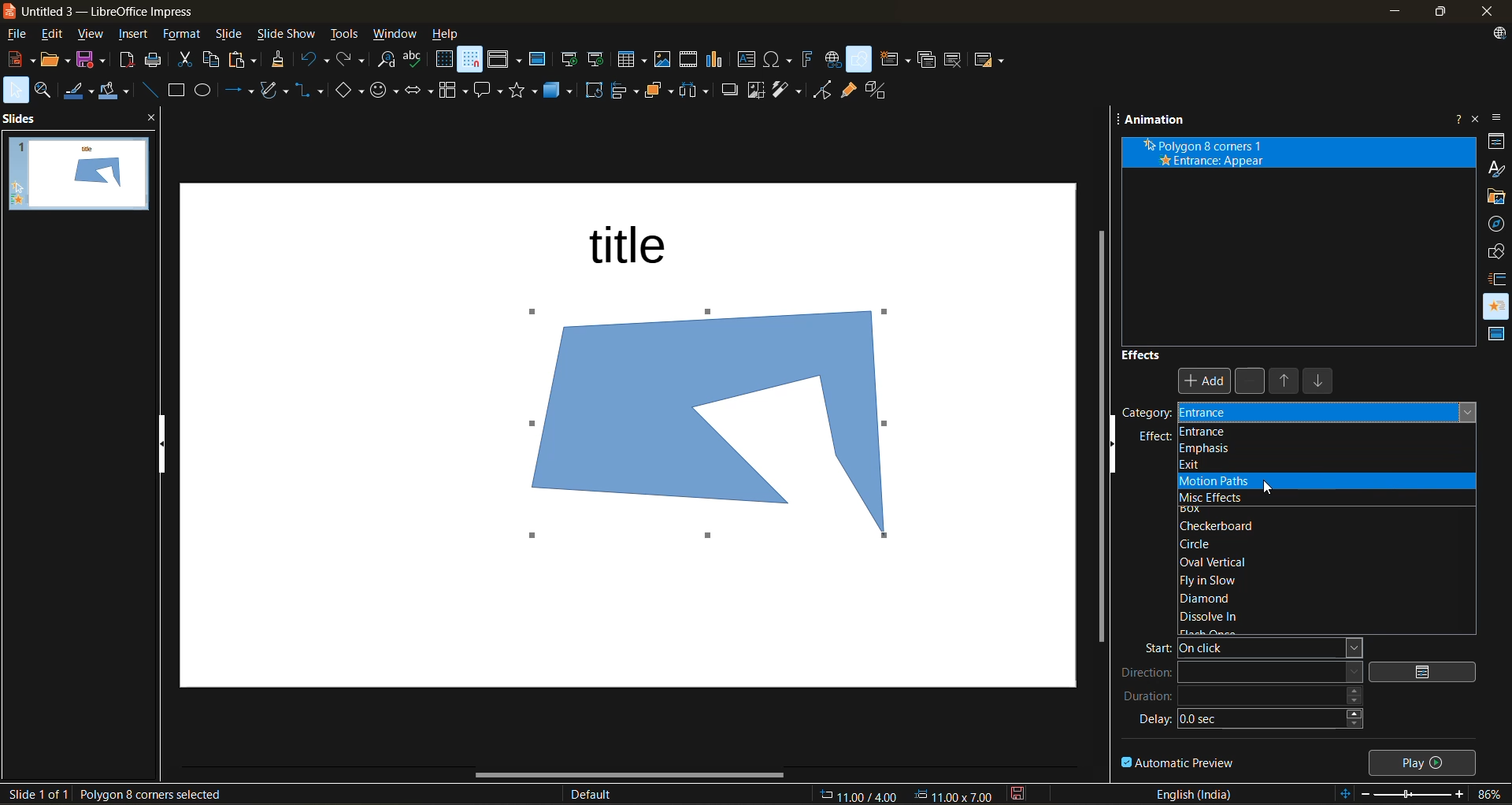 The height and width of the screenshot is (805, 1512). I want to click on move down, so click(1317, 384).